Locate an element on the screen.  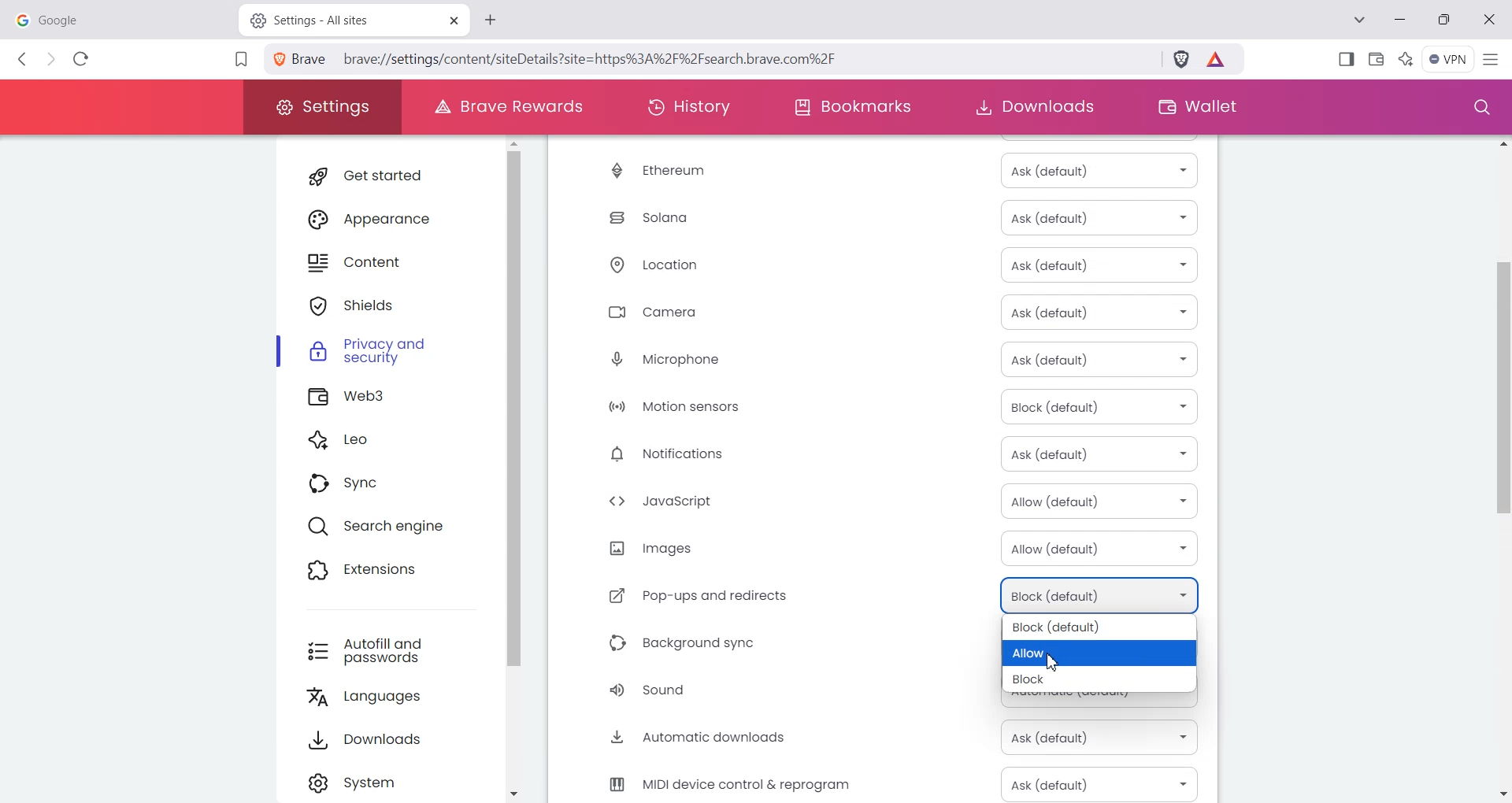
Notification Ask (Default) is located at coordinates (886, 454).